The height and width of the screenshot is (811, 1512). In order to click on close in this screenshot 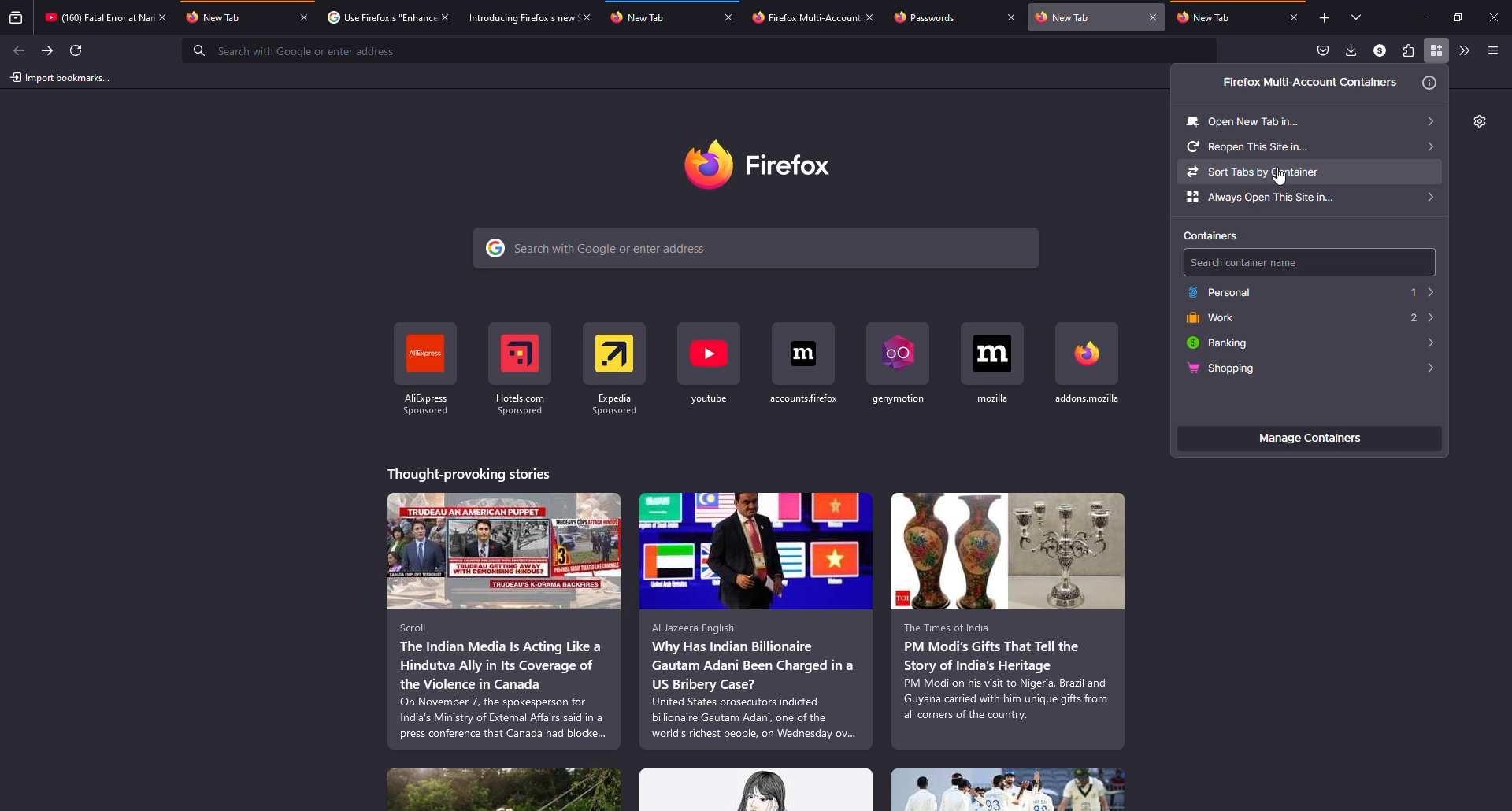, I will do `click(1294, 17)`.